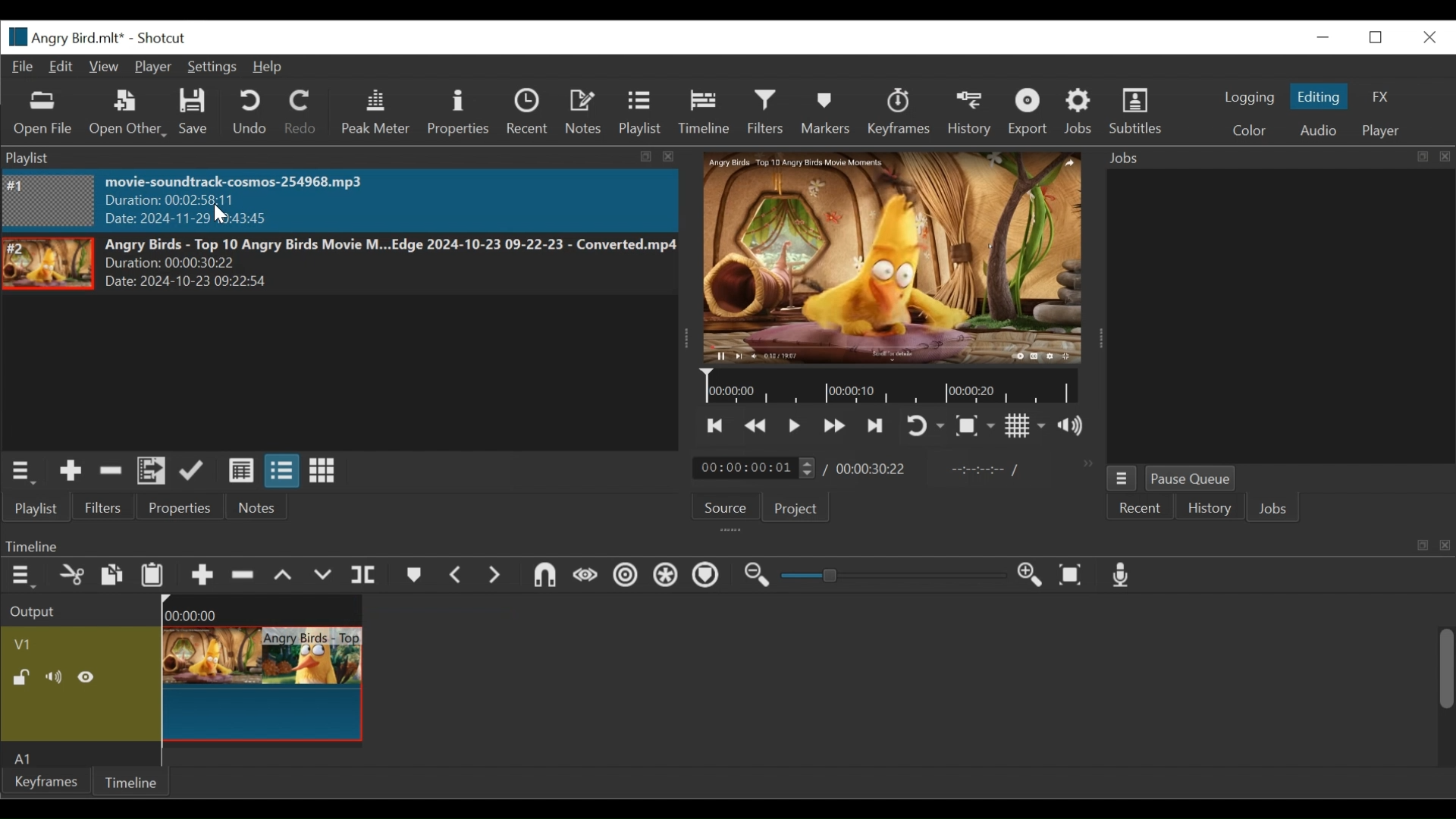 This screenshot has height=819, width=1456. I want to click on Playlist, so click(640, 114).